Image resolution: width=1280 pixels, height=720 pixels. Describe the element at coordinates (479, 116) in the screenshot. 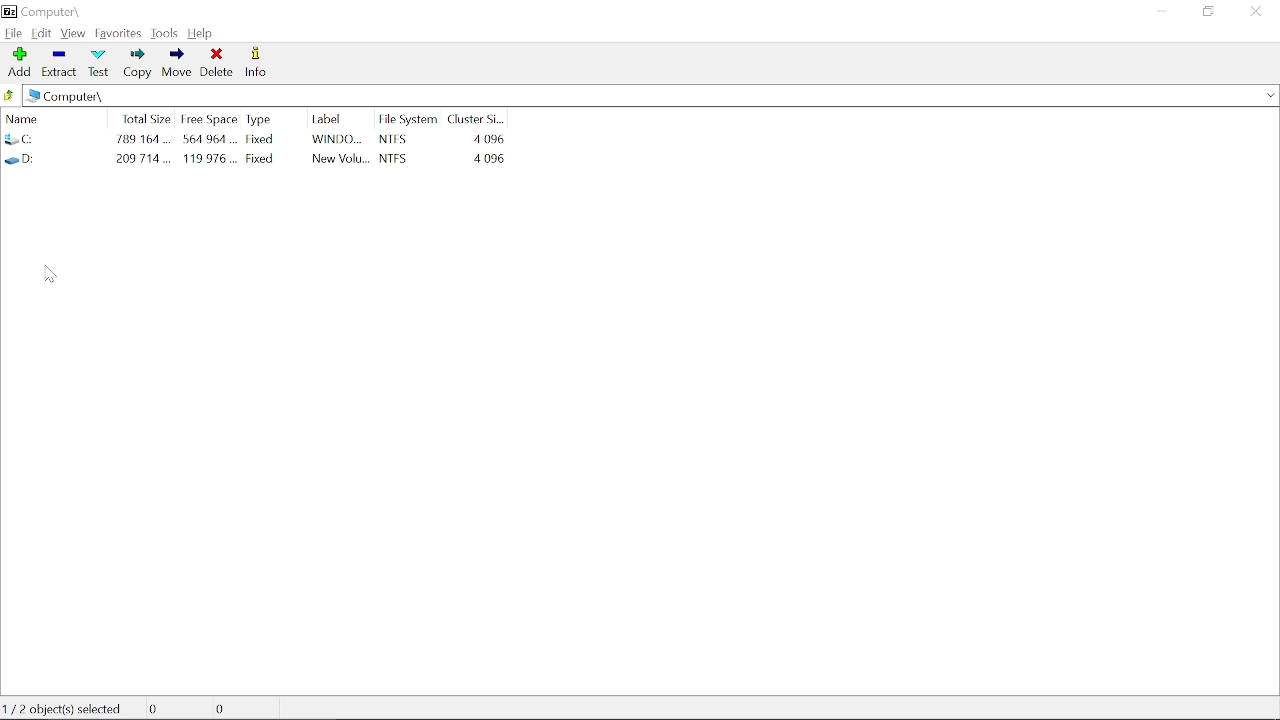

I see `cluster Si...` at that location.